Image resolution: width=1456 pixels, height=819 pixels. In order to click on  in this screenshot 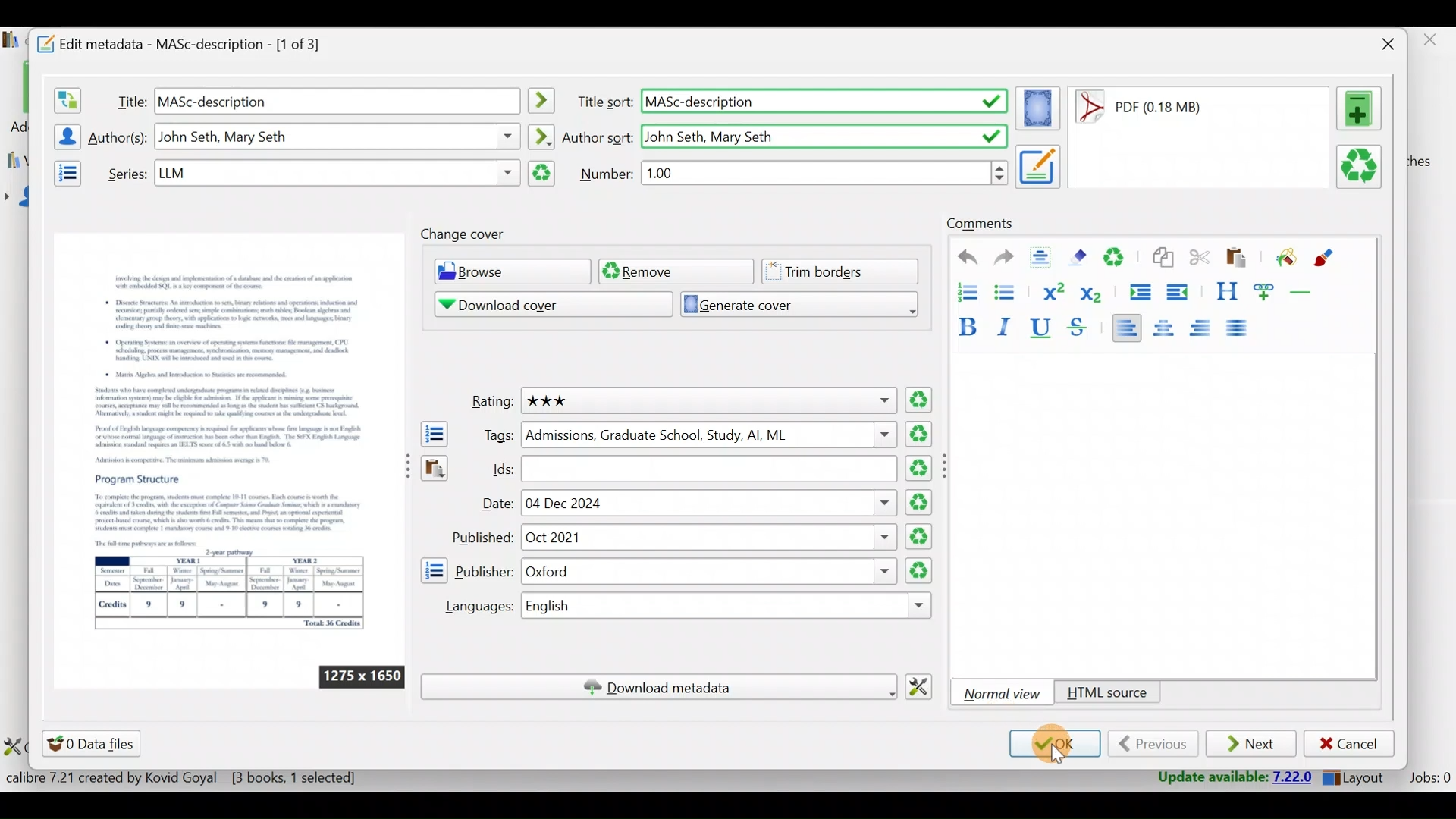, I will do `click(823, 134)`.